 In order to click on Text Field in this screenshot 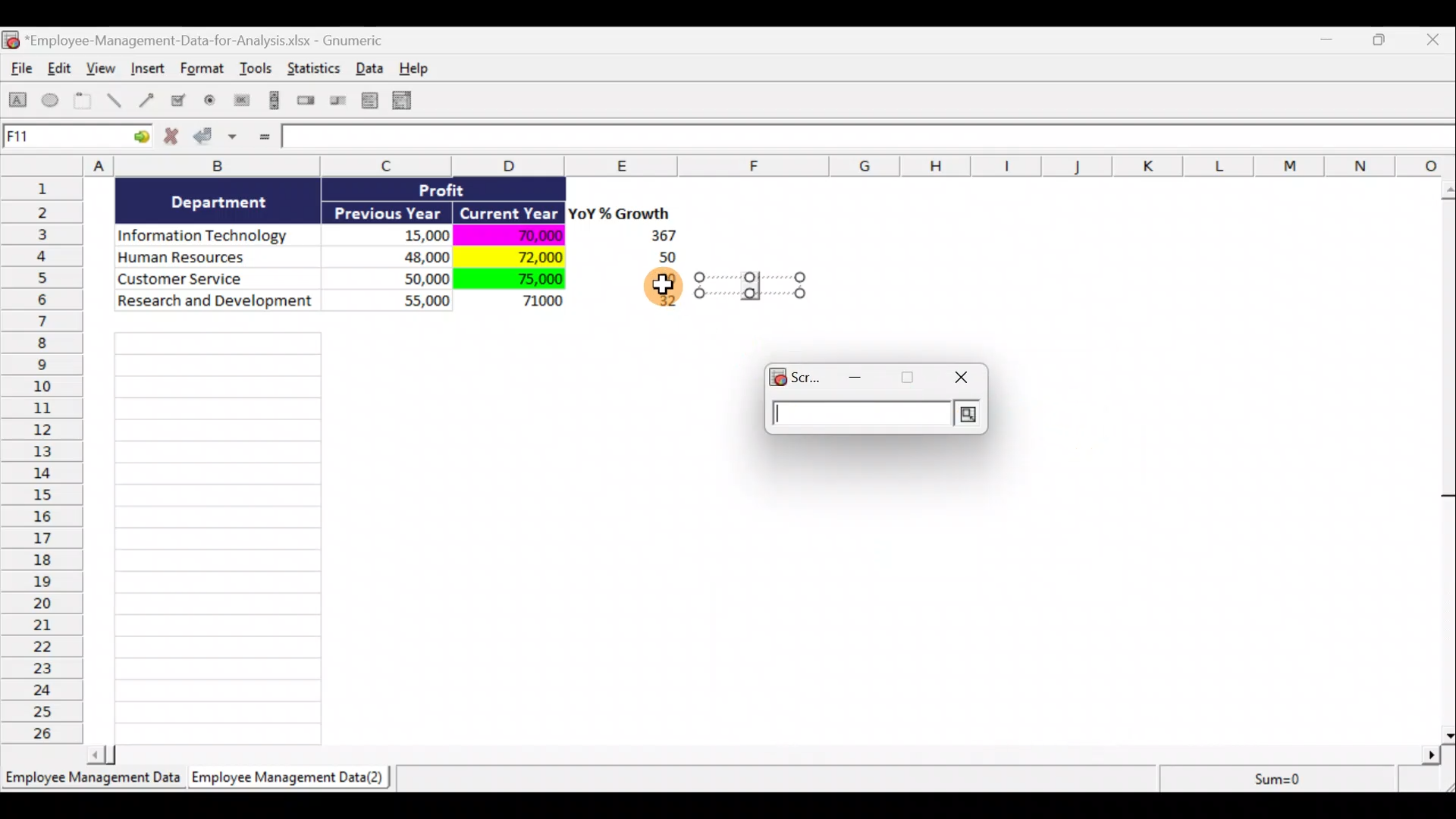, I will do `click(855, 416)`.